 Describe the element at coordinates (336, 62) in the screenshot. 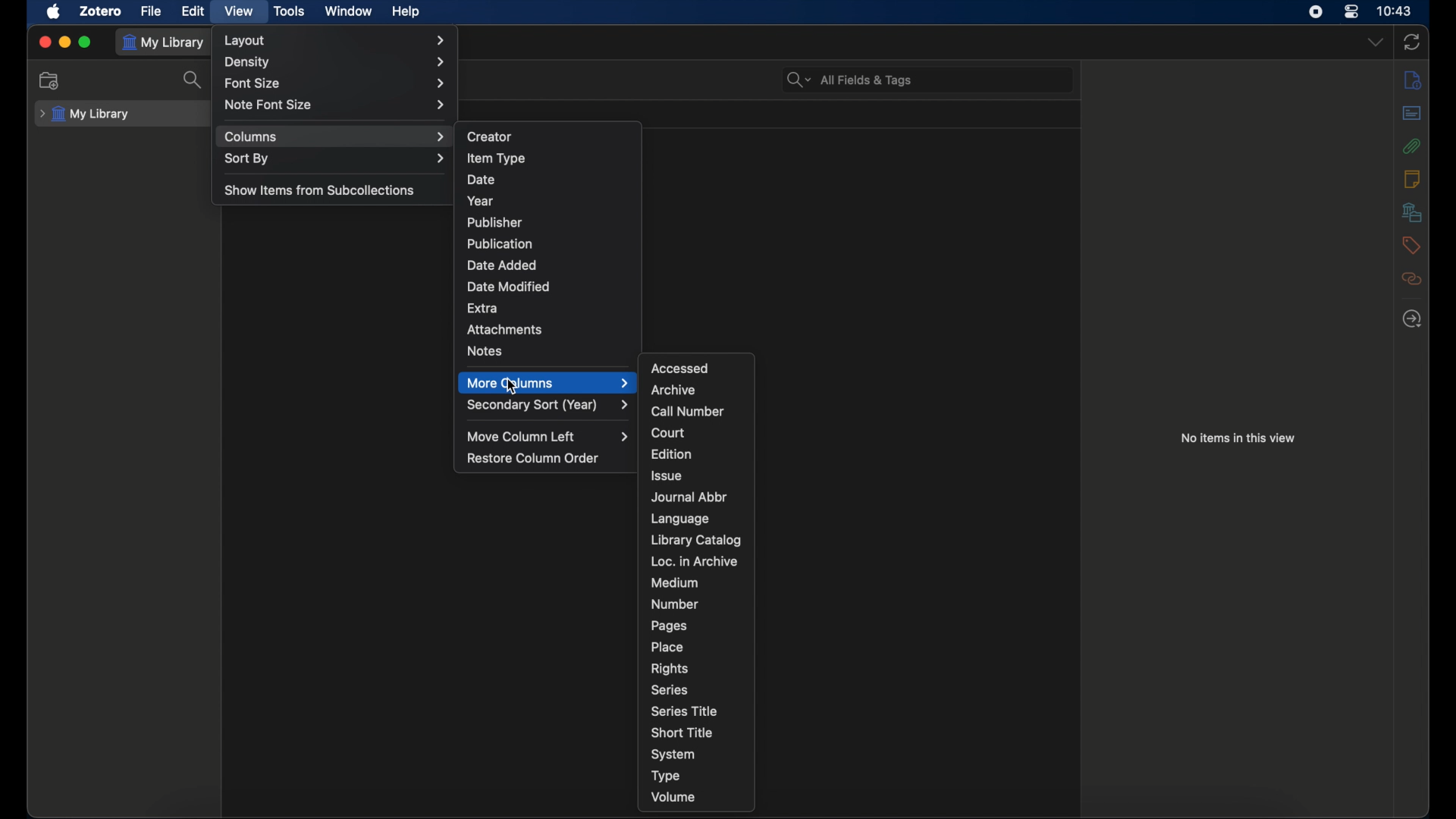

I see `density` at that location.